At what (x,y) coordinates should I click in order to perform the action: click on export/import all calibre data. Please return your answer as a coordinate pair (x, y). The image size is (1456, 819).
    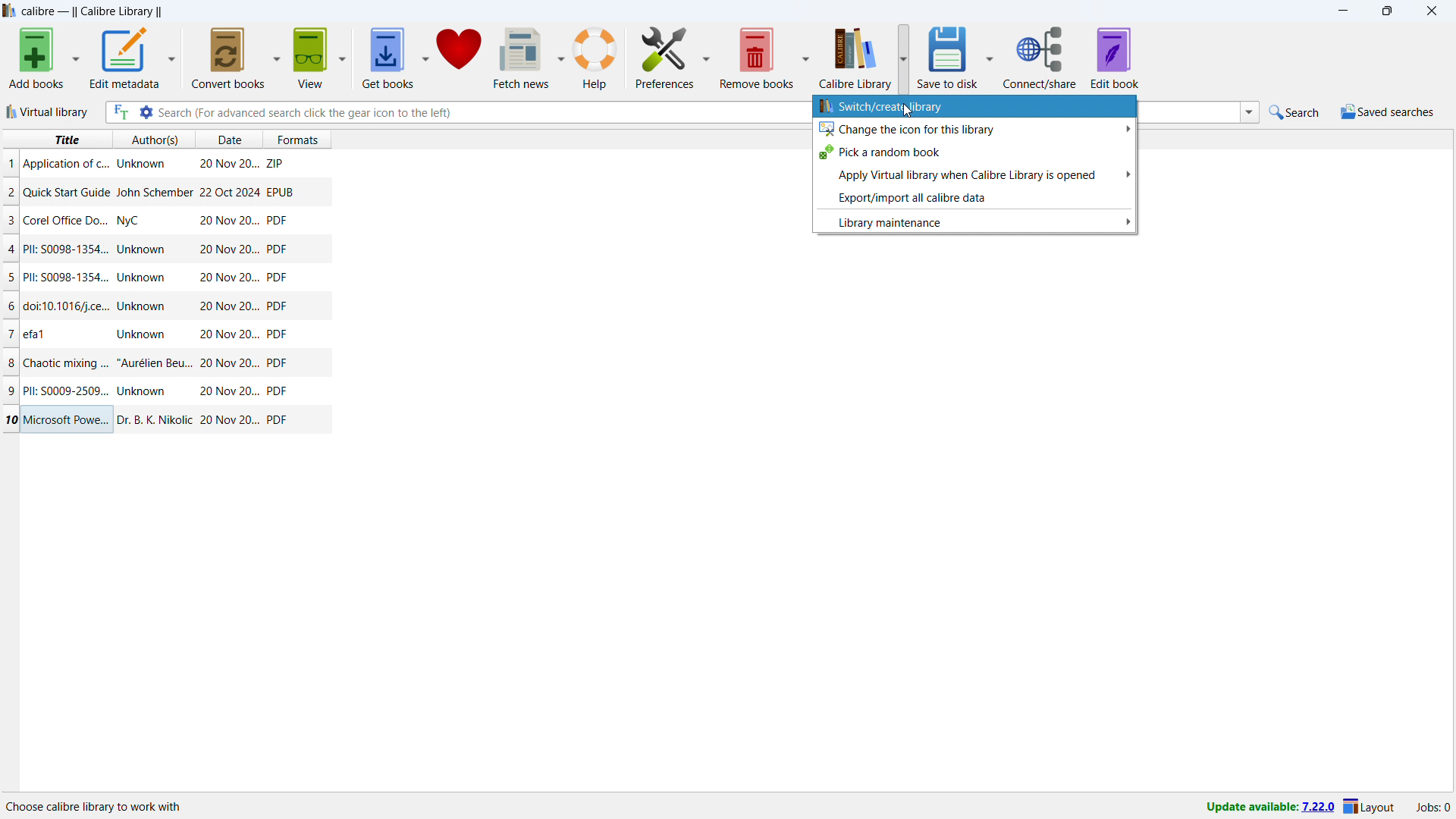
    Looking at the image, I should click on (974, 197).